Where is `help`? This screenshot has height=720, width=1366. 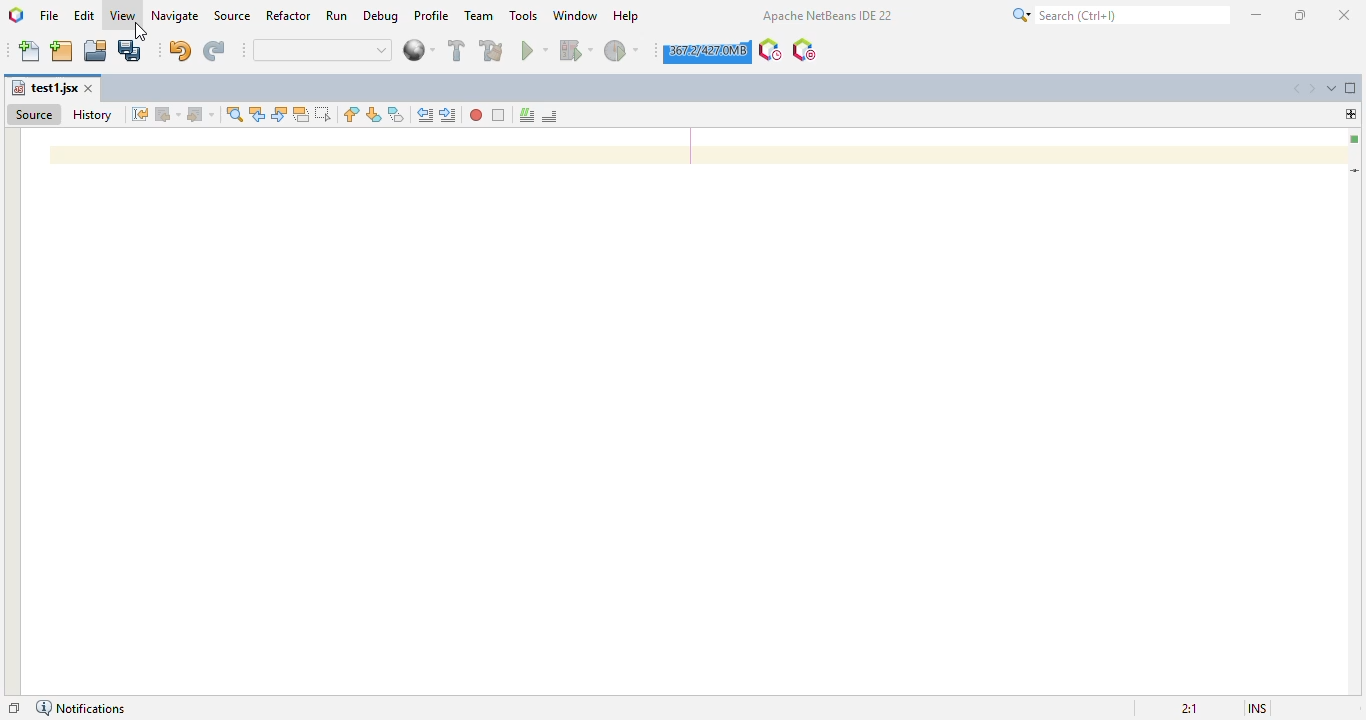
help is located at coordinates (627, 16).